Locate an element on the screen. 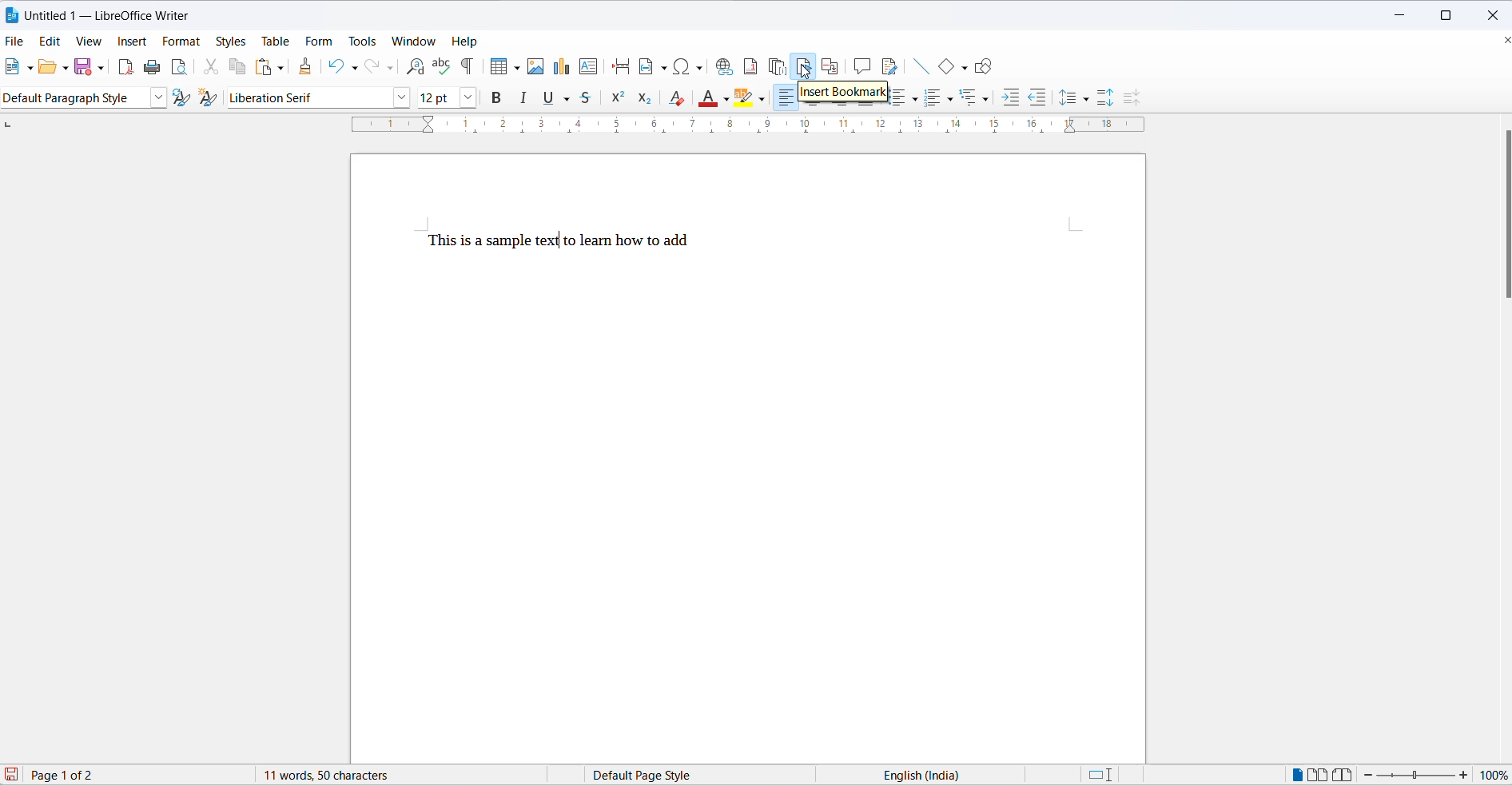 The image size is (1512, 786). open is located at coordinates (50, 67).